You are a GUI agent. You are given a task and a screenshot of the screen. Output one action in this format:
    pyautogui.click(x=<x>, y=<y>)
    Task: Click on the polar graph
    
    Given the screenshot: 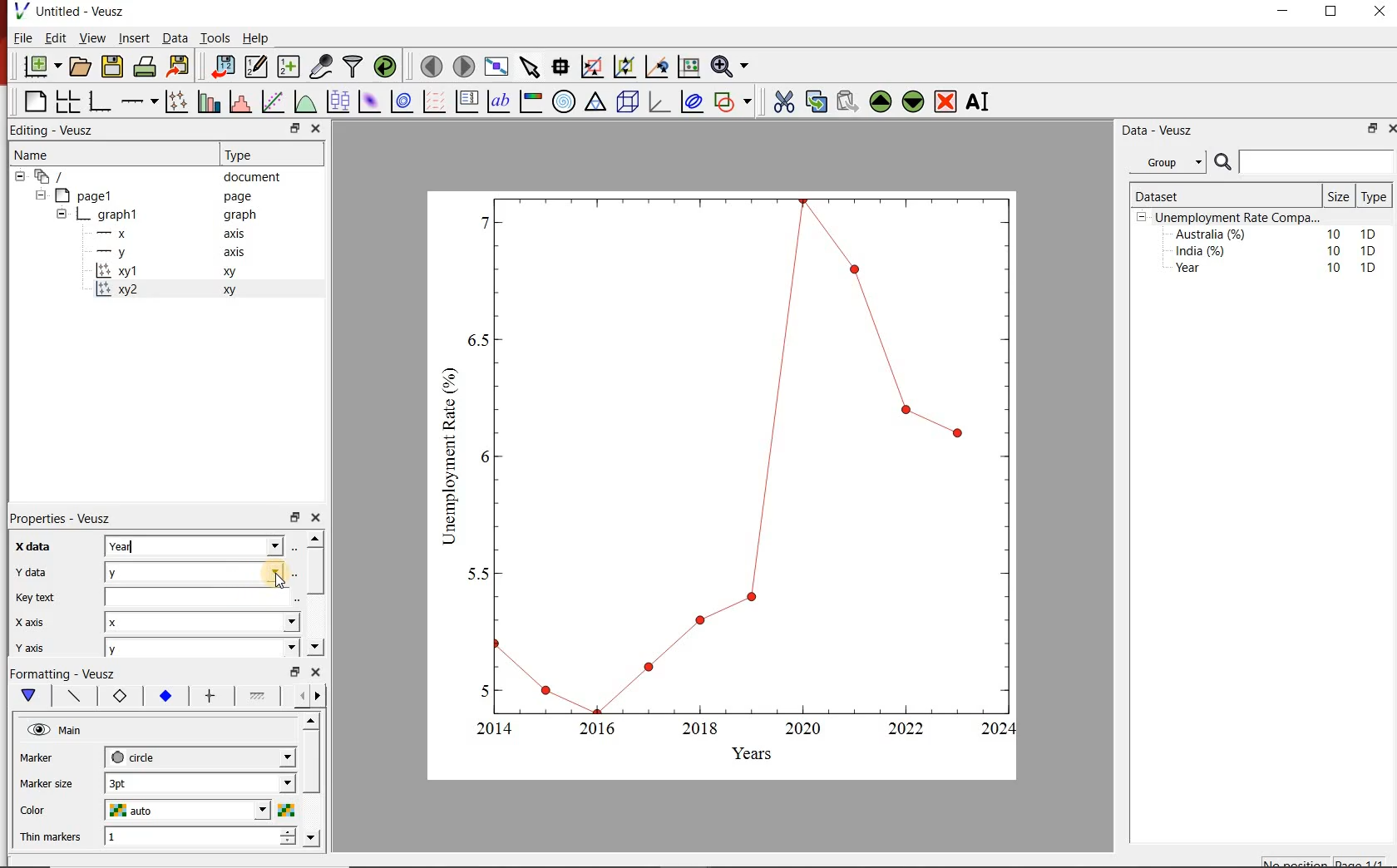 What is the action you would take?
    pyautogui.click(x=565, y=102)
    